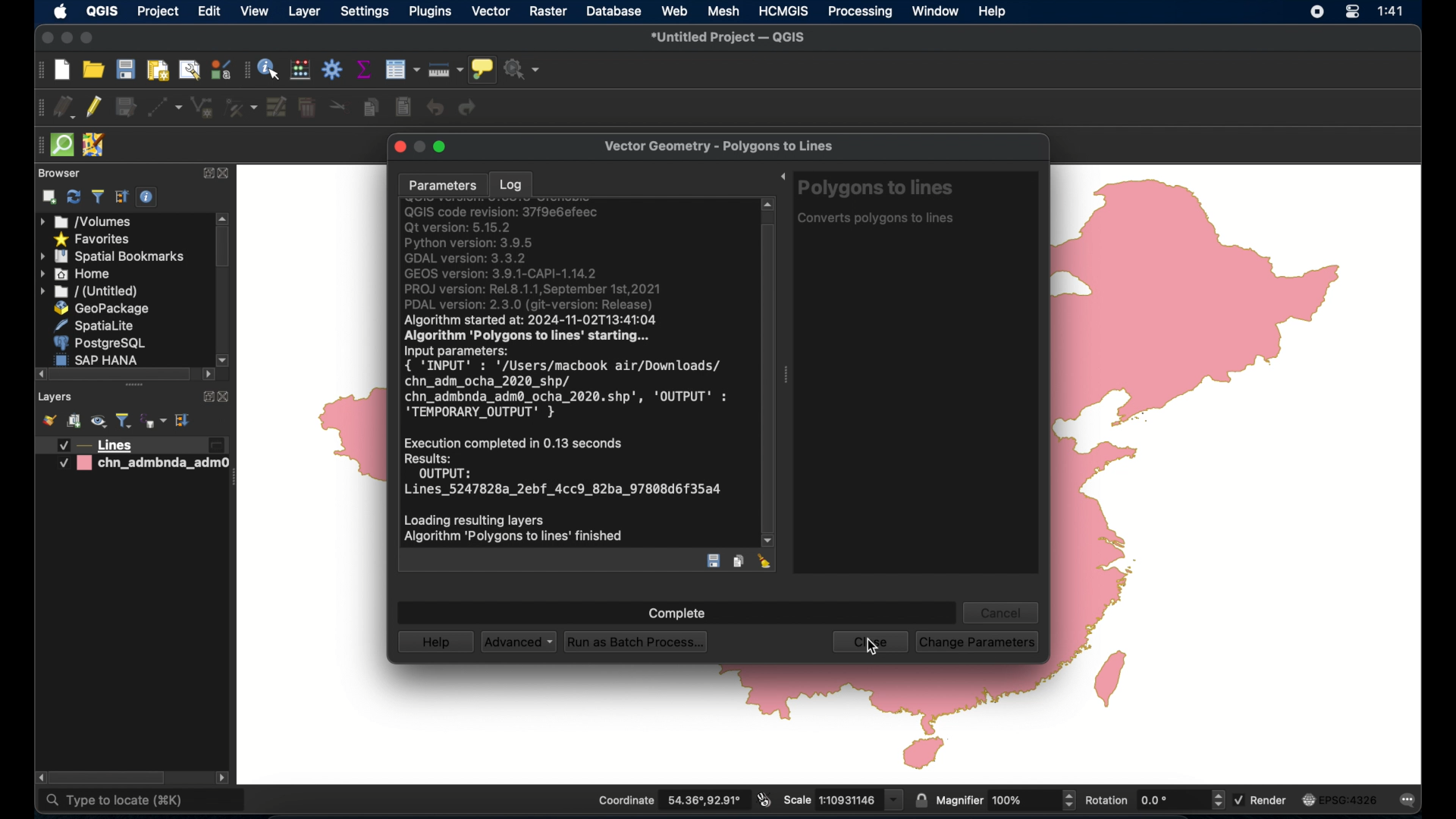 This screenshot has height=819, width=1456. I want to click on close, so click(224, 174).